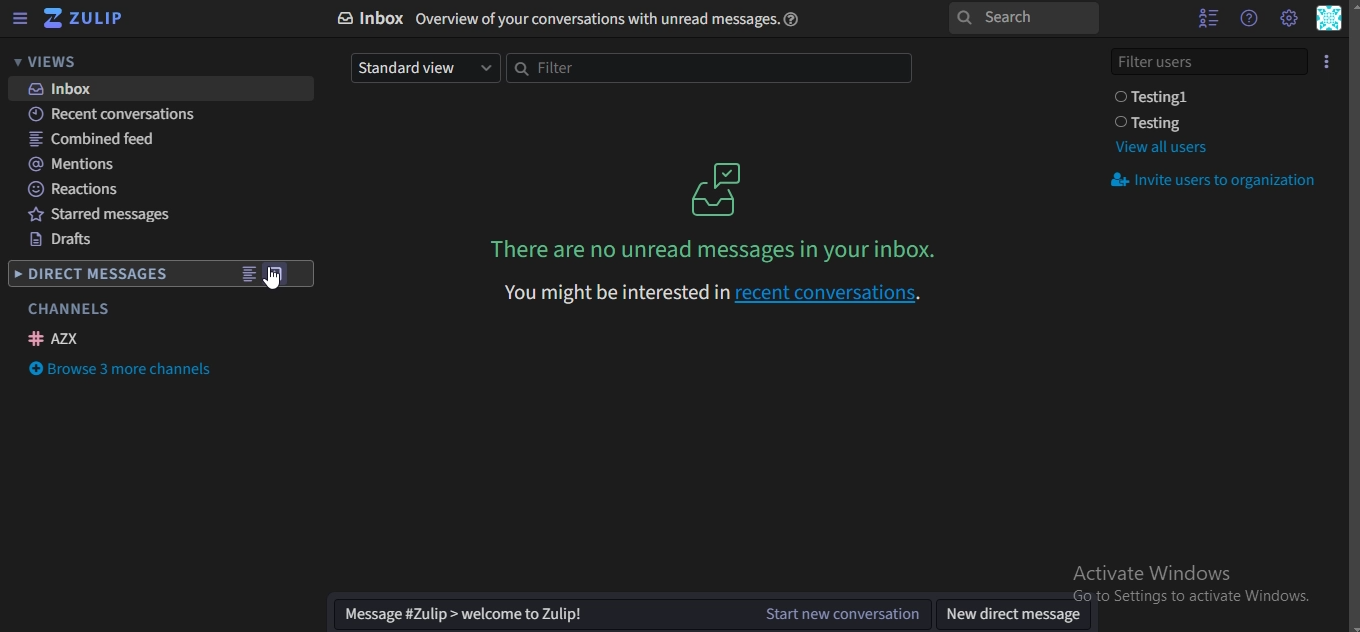 Image resolution: width=1360 pixels, height=632 pixels. What do you see at coordinates (1217, 182) in the screenshot?
I see `invite users to organization` at bounding box center [1217, 182].